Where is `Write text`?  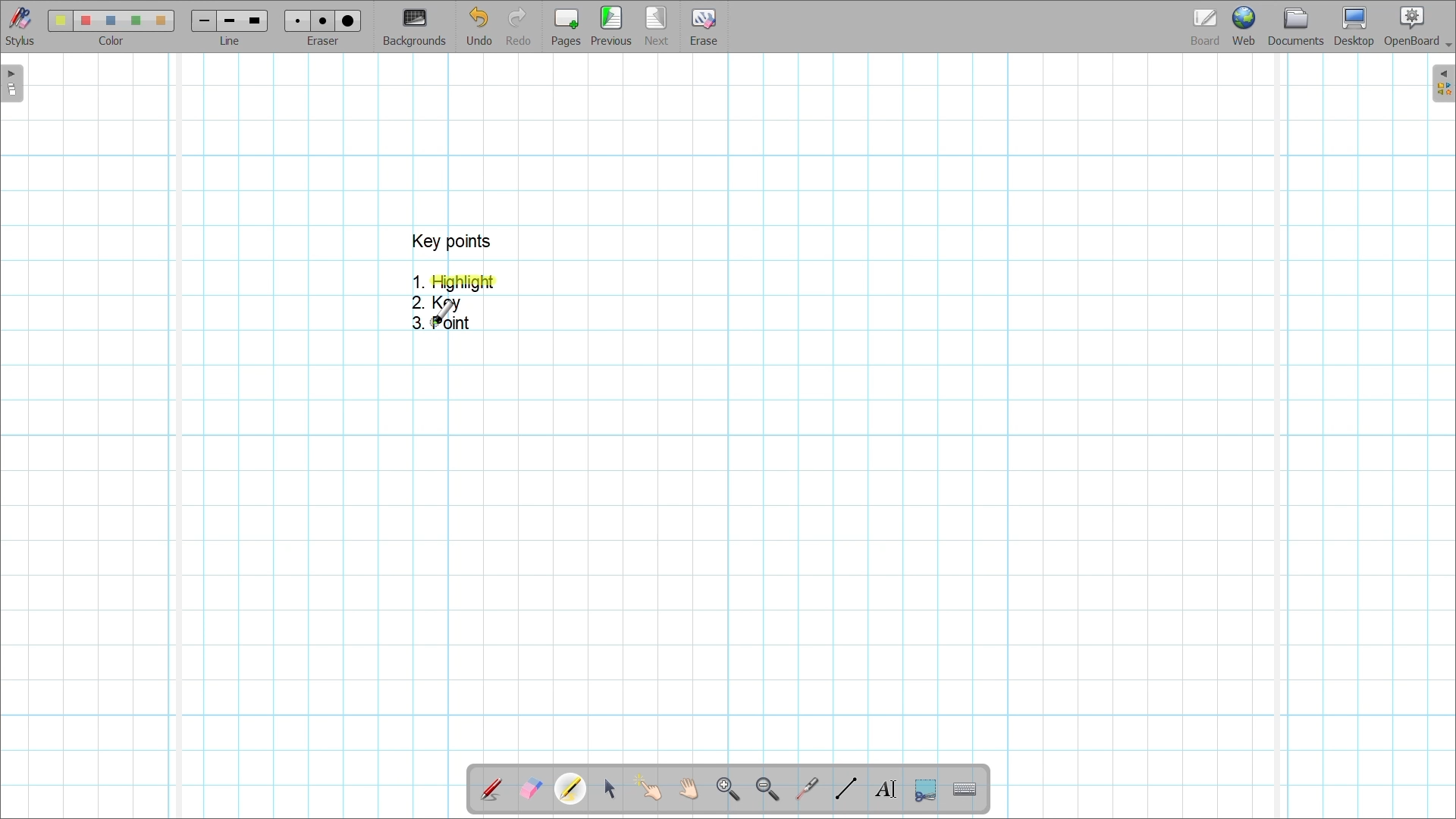
Write text is located at coordinates (885, 789).